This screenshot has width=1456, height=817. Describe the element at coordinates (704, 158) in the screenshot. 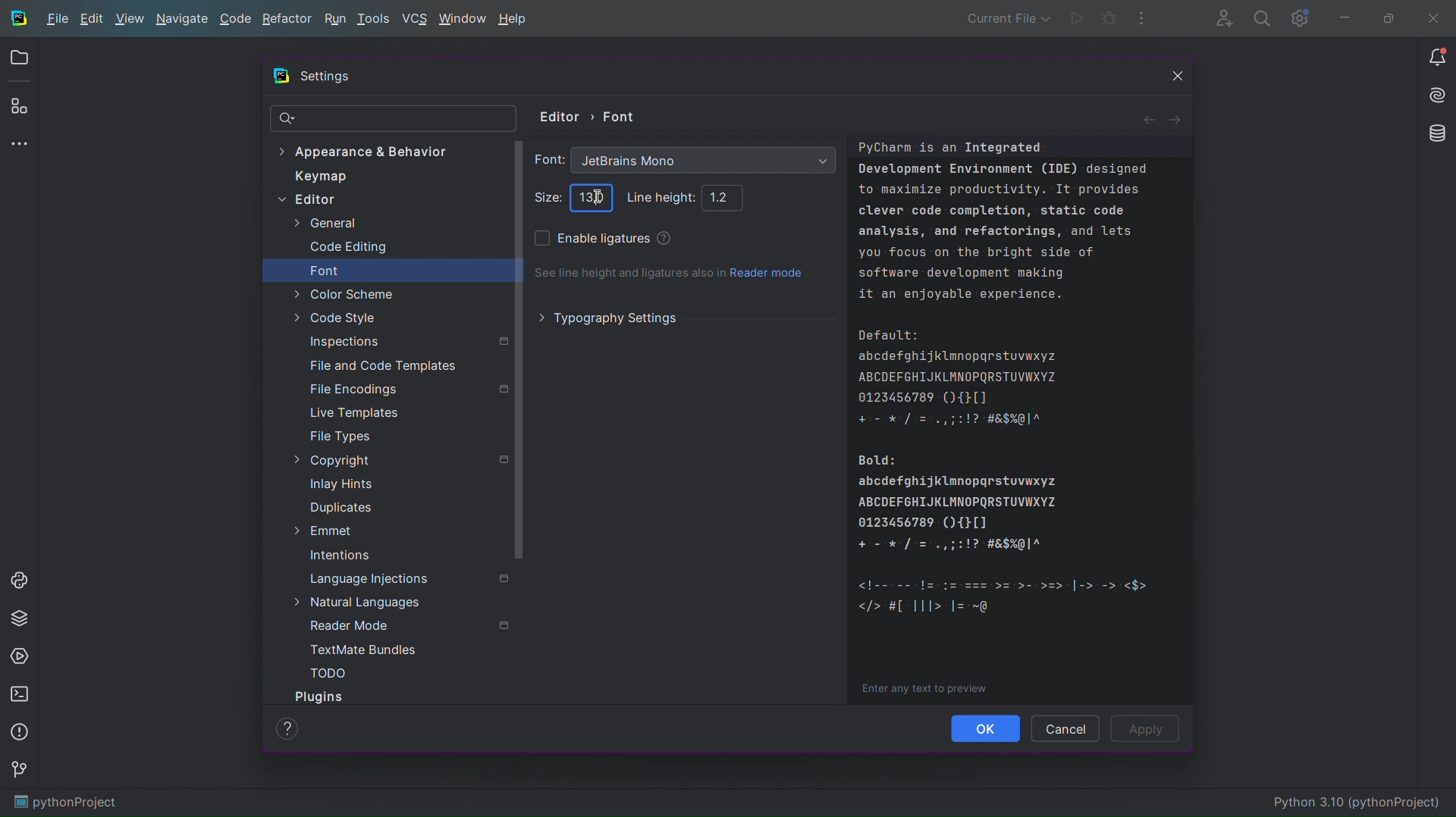

I see `Font: JetBrains Mono` at that location.